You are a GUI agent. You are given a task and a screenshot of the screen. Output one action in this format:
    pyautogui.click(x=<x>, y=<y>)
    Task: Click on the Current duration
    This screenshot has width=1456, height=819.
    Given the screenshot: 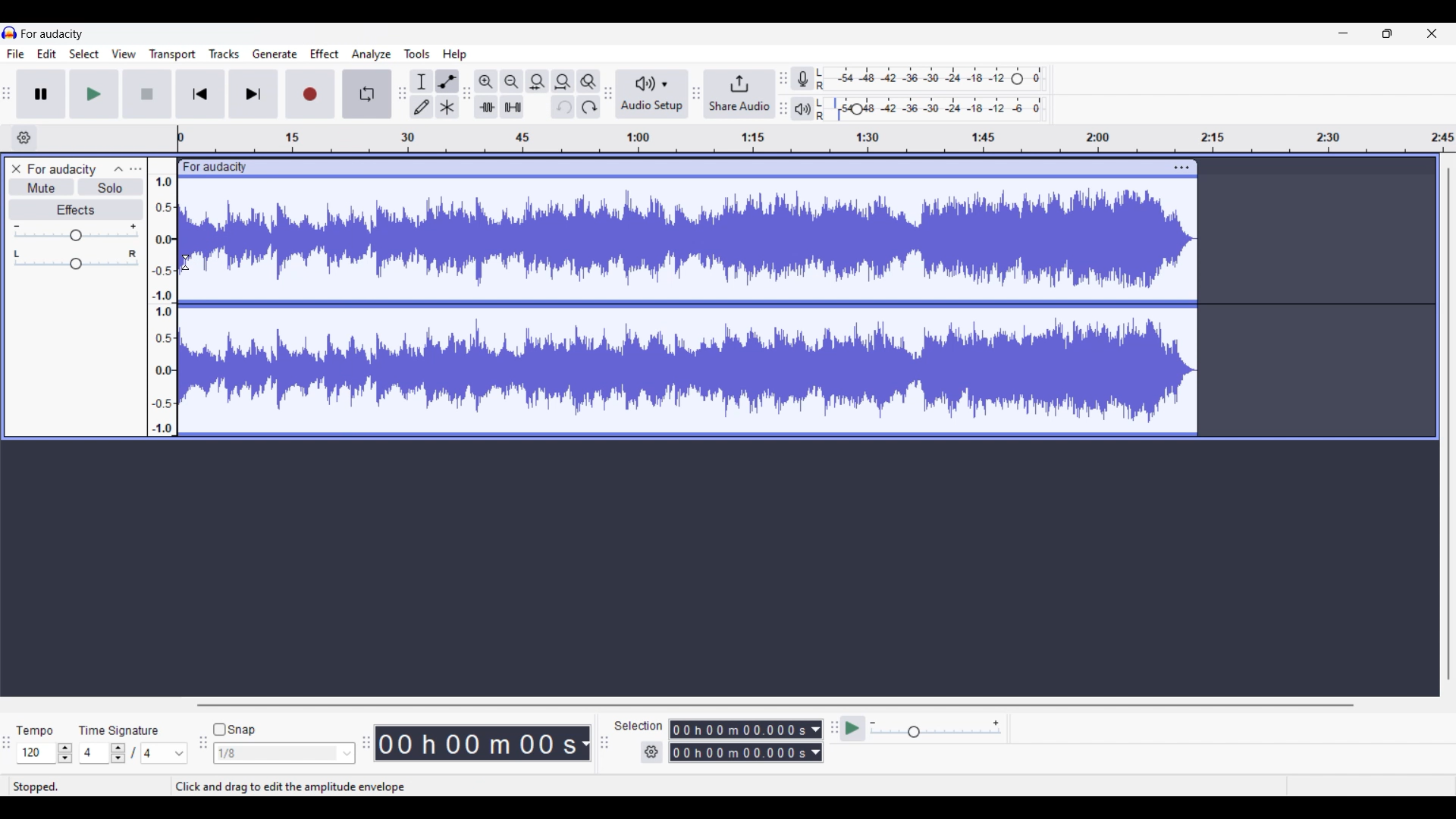 What is the action you would take?
    pyautogui.click(x=475, y=743)
    